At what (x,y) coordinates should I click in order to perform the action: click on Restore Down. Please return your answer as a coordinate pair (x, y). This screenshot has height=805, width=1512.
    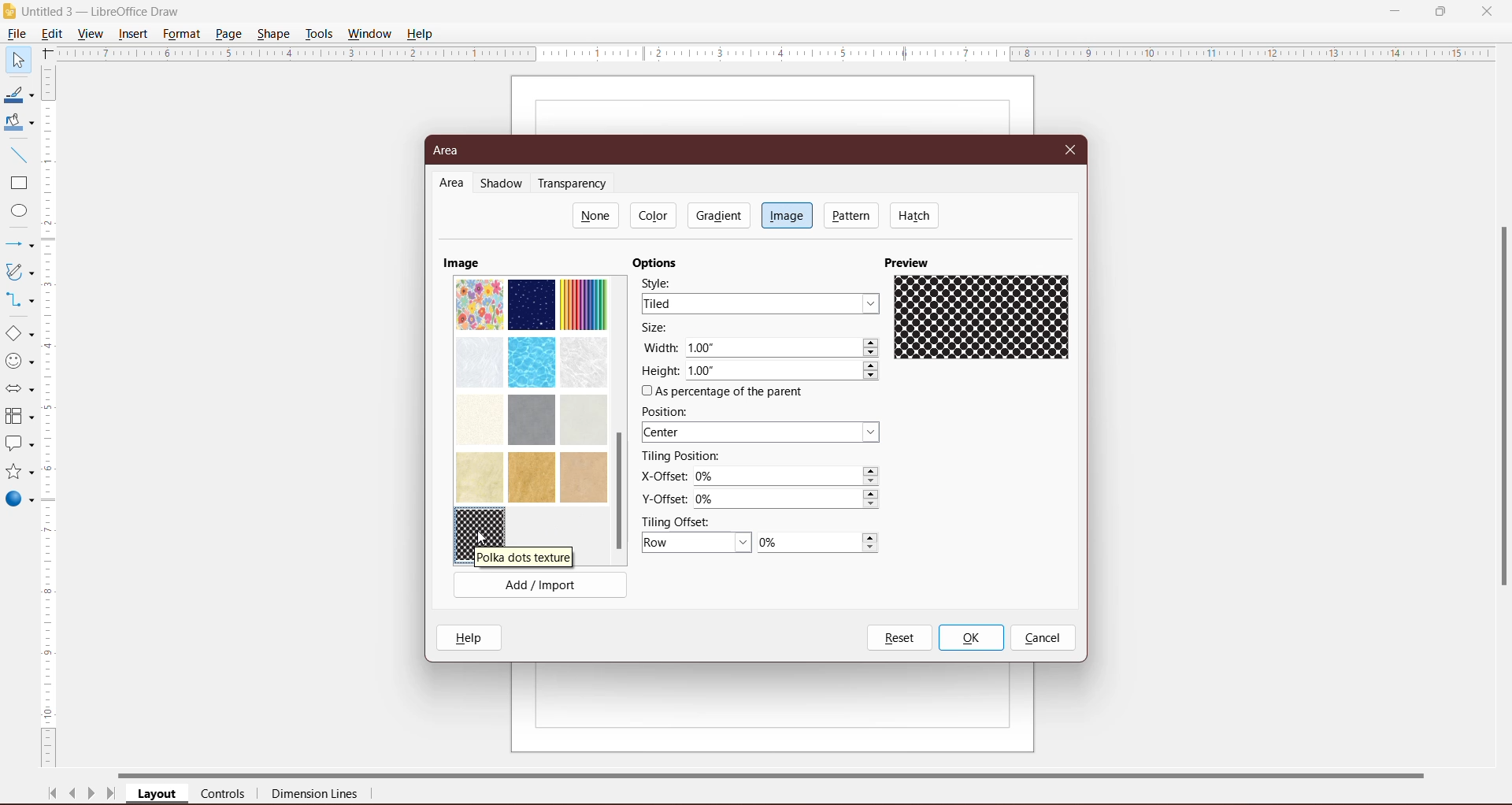
    Looking at the image, I should click on (1440, 10).